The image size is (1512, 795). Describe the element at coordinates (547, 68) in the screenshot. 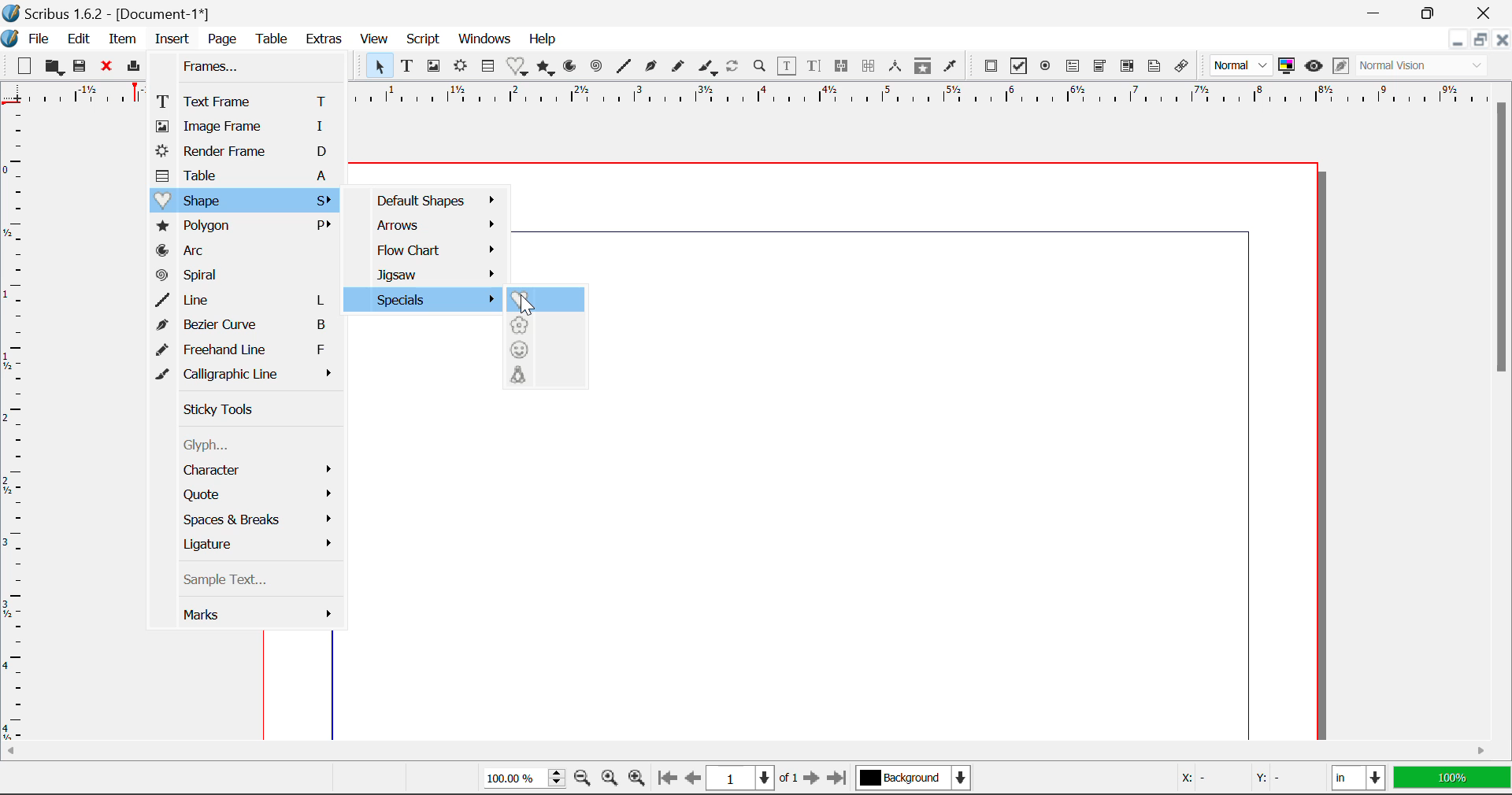

I see `Polygons` at that location.